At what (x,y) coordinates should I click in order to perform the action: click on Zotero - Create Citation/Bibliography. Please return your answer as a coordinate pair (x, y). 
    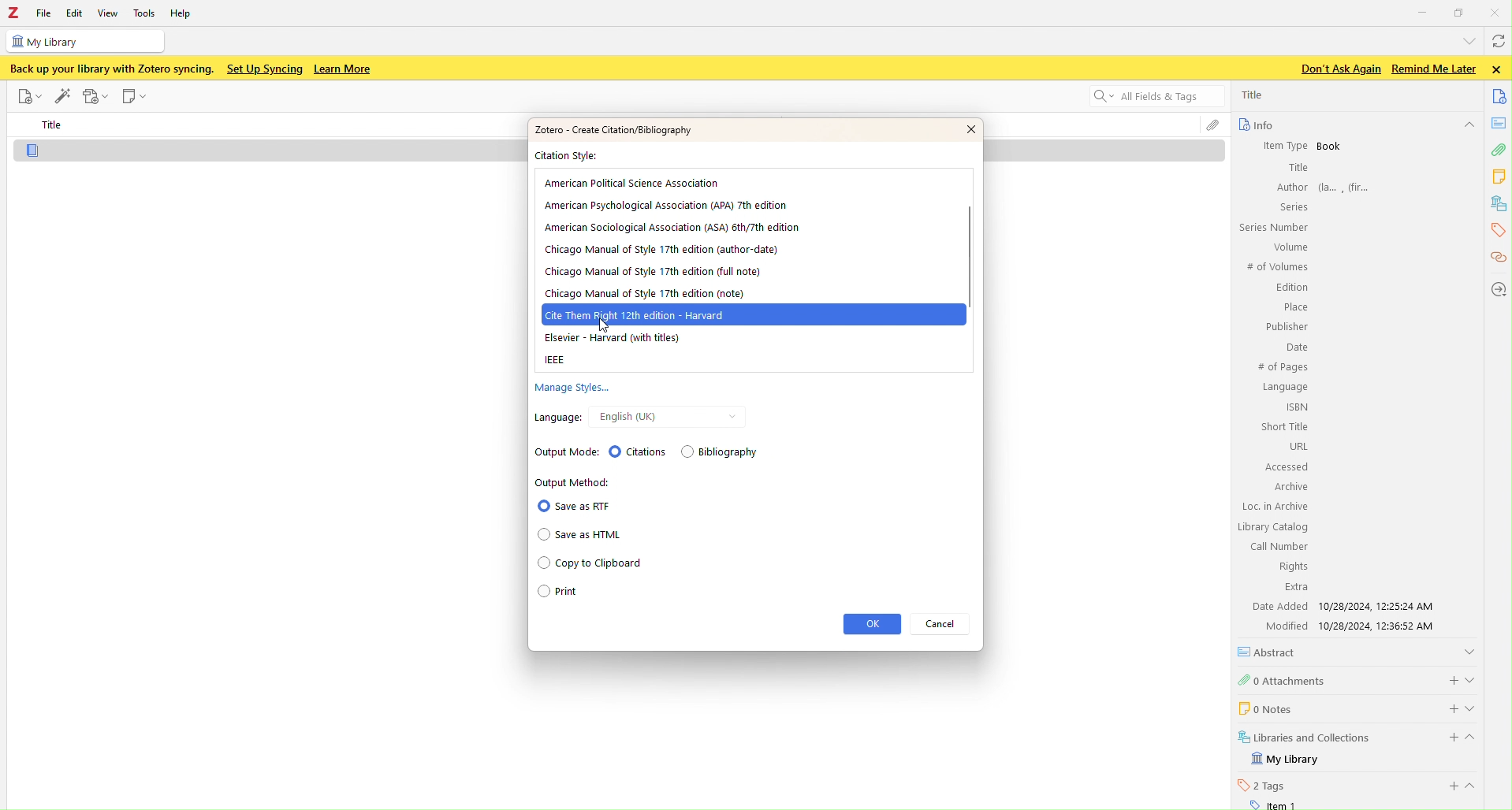
    Looking at the image, I should click on (612, 129).